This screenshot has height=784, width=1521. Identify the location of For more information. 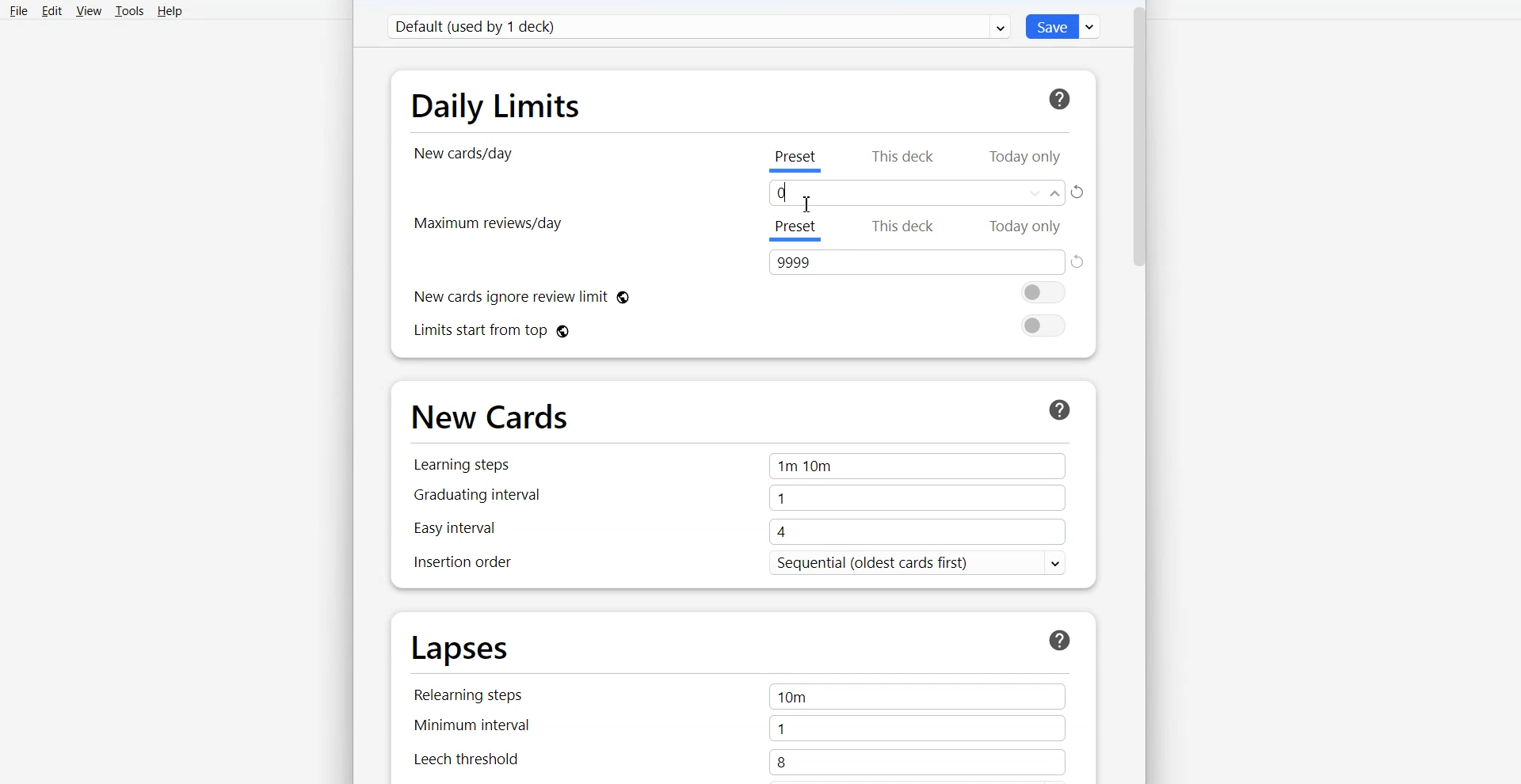
(1058, 97).